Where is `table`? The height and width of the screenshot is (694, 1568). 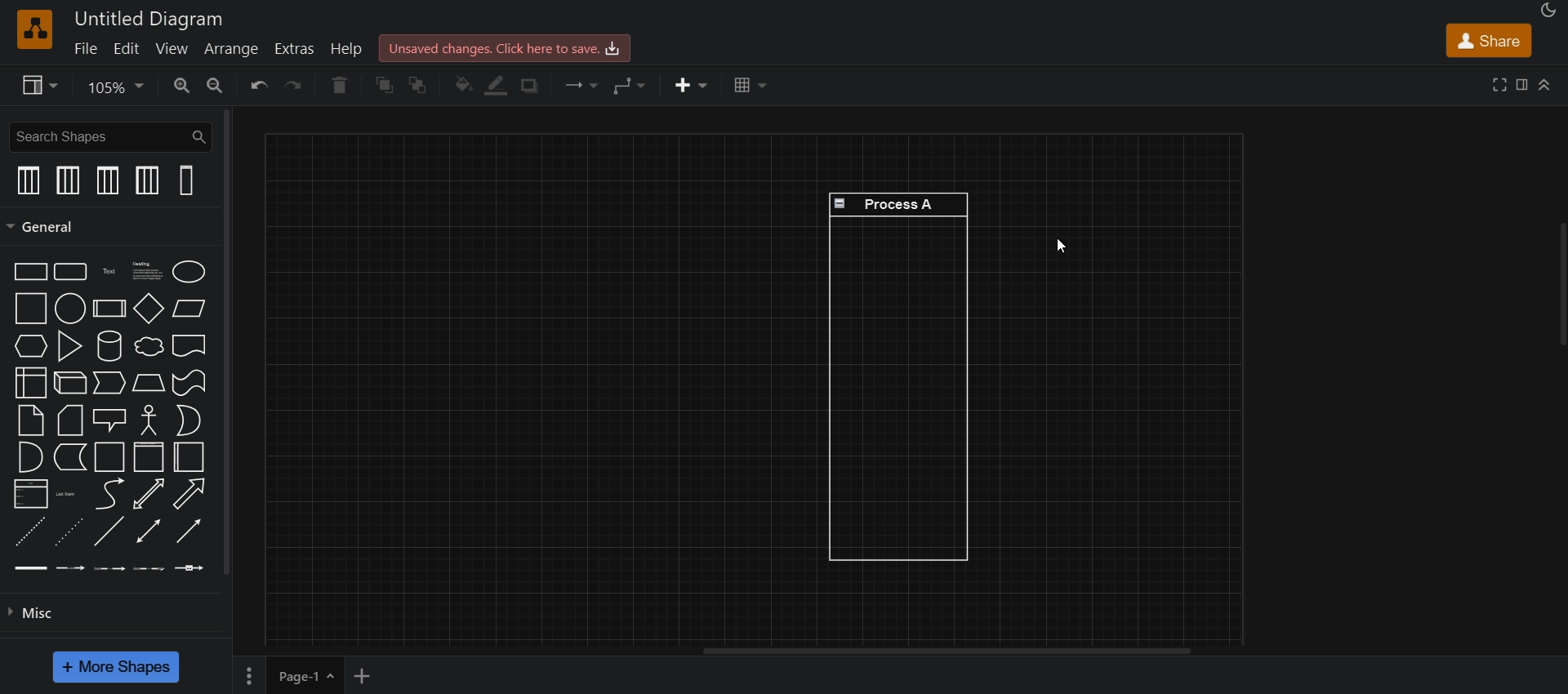
table is located at coordinates (747, 84).